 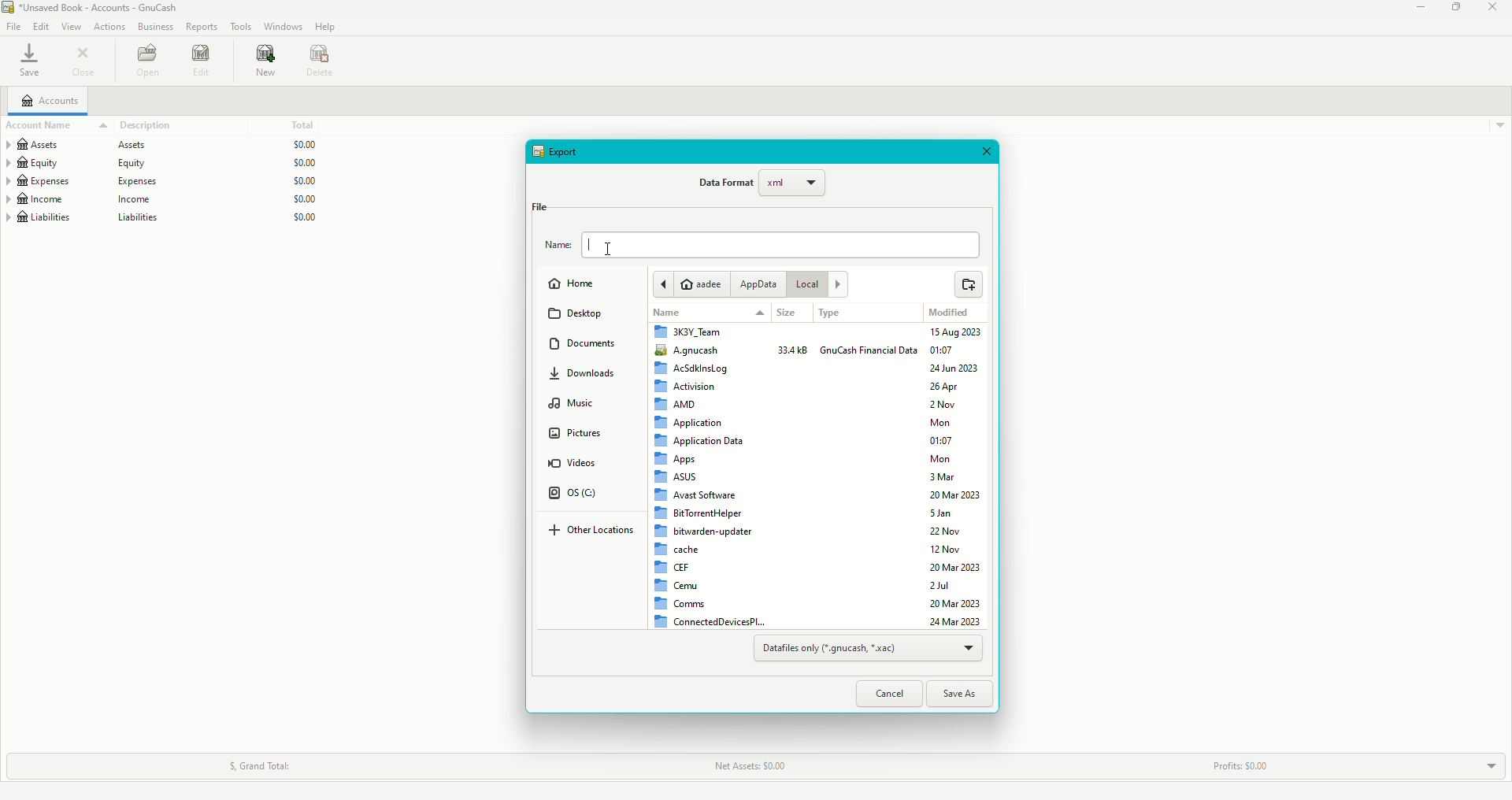 I want to click on Open, so click(x=146, y=61).